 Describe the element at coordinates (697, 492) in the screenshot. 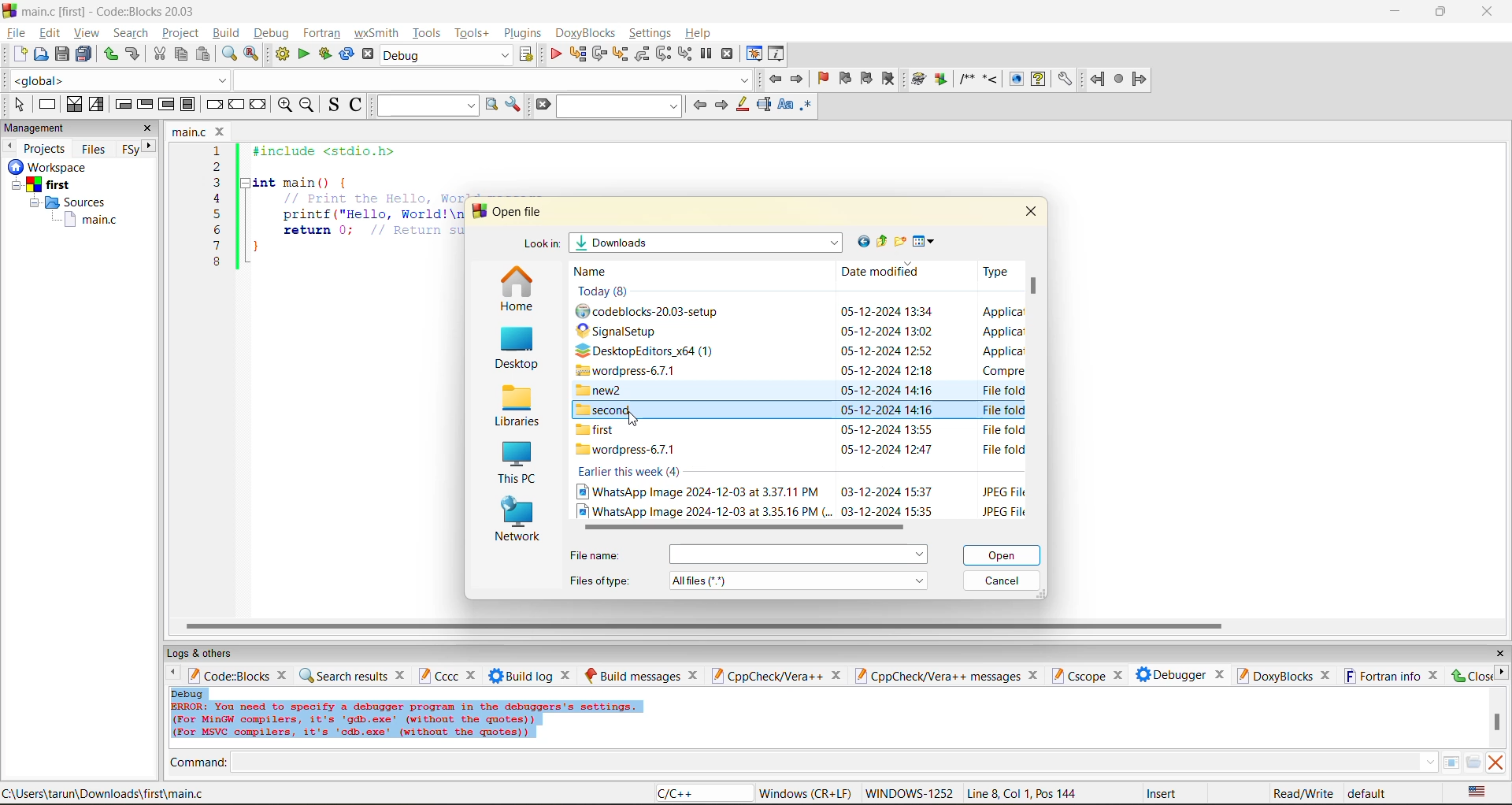

I see `image file` at that location.